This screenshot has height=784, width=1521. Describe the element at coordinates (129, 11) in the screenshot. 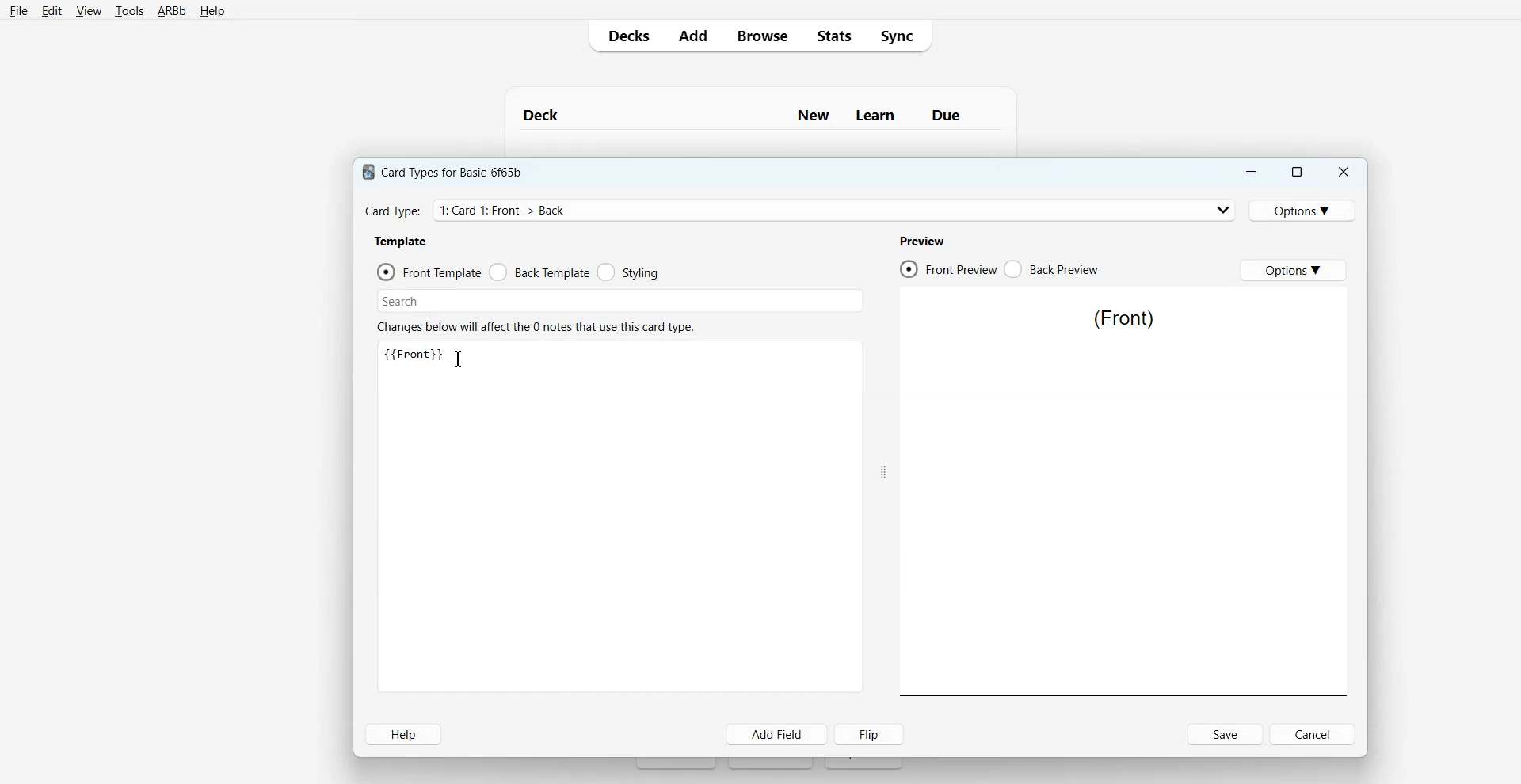

I see `Tools` at that location.